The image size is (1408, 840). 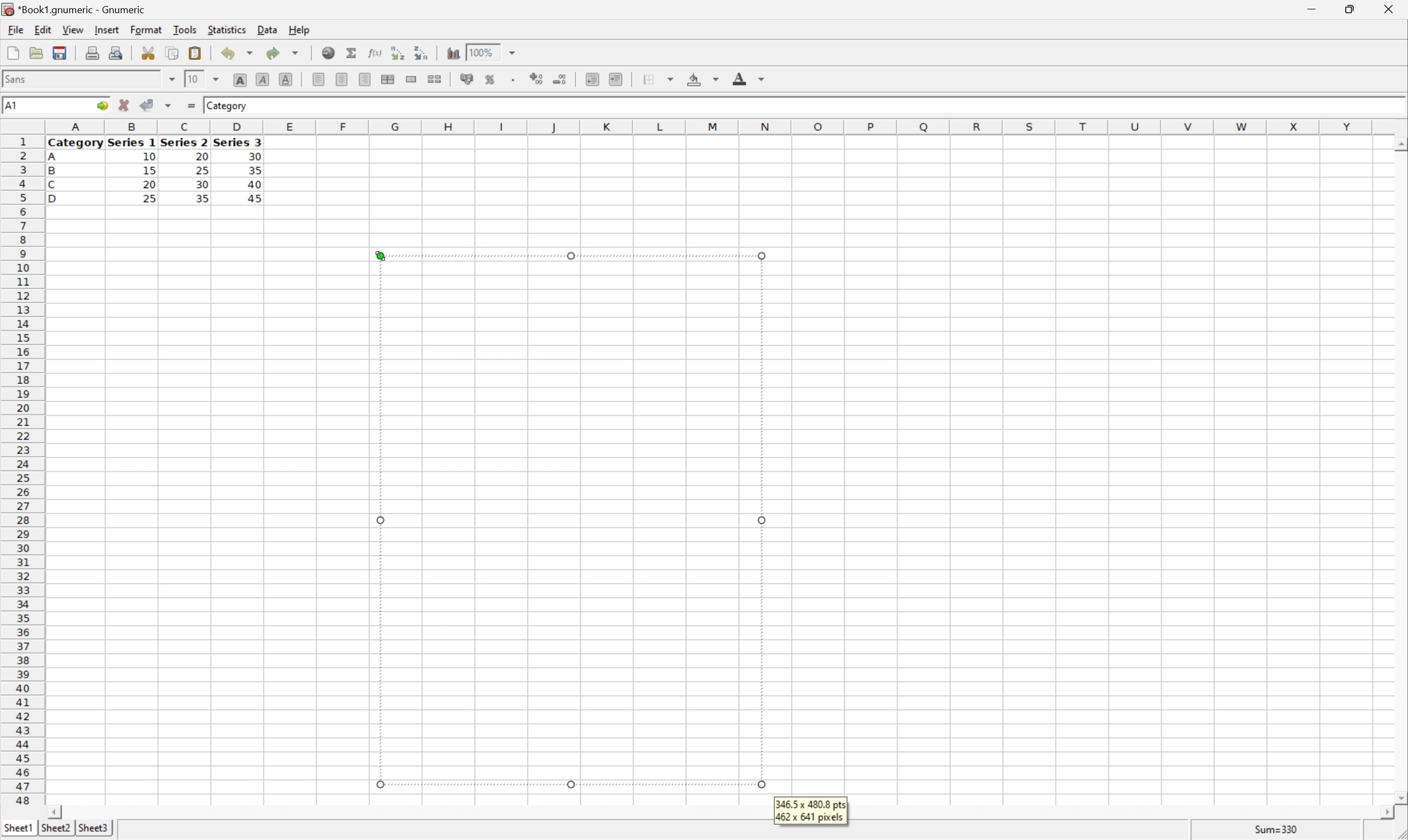 What do you see at coordinates (481, 55) in the screenshot?
I see `100%` at bounding box center [481, 55].